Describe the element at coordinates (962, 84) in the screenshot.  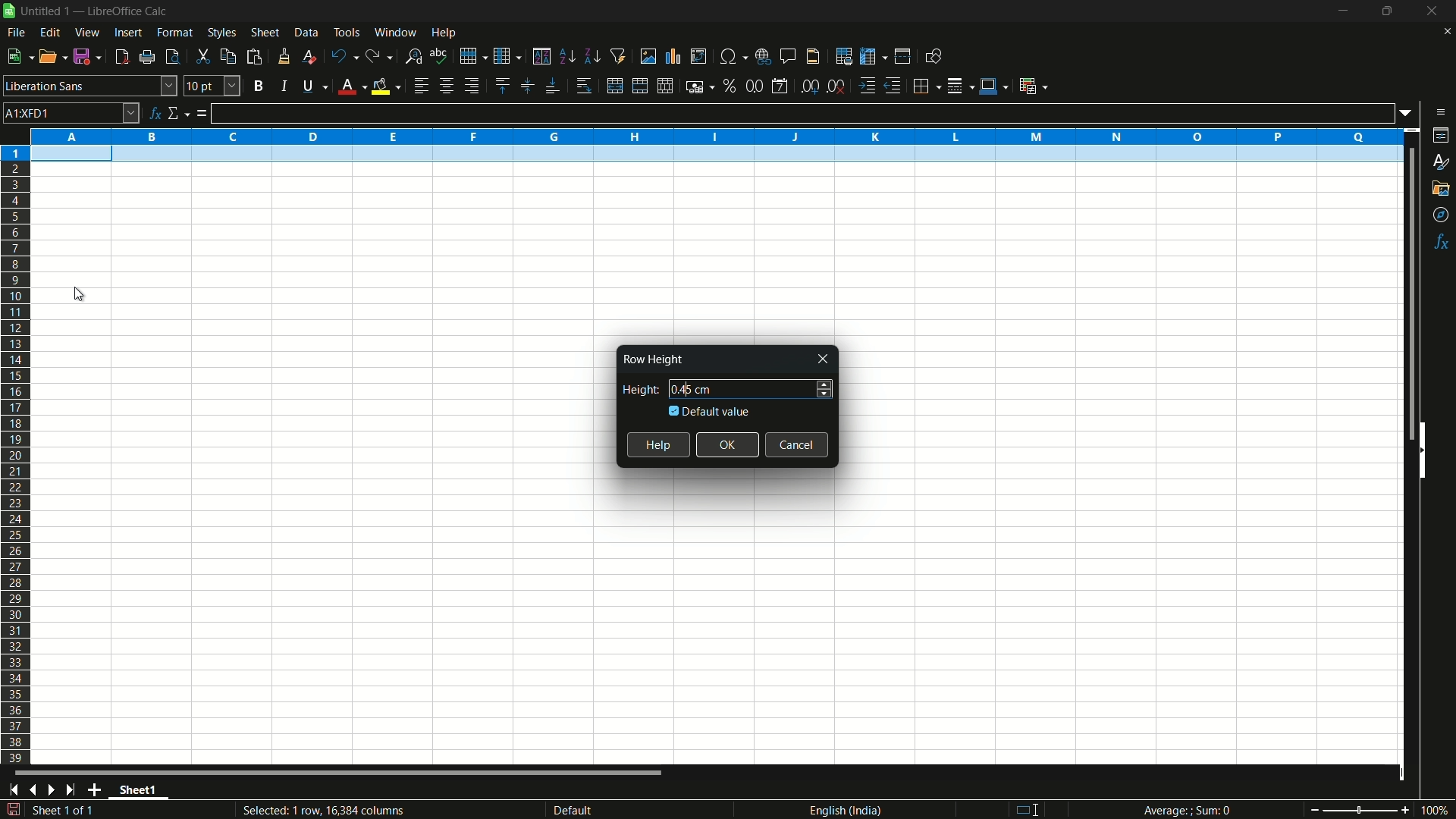
I see `border style` at that location.